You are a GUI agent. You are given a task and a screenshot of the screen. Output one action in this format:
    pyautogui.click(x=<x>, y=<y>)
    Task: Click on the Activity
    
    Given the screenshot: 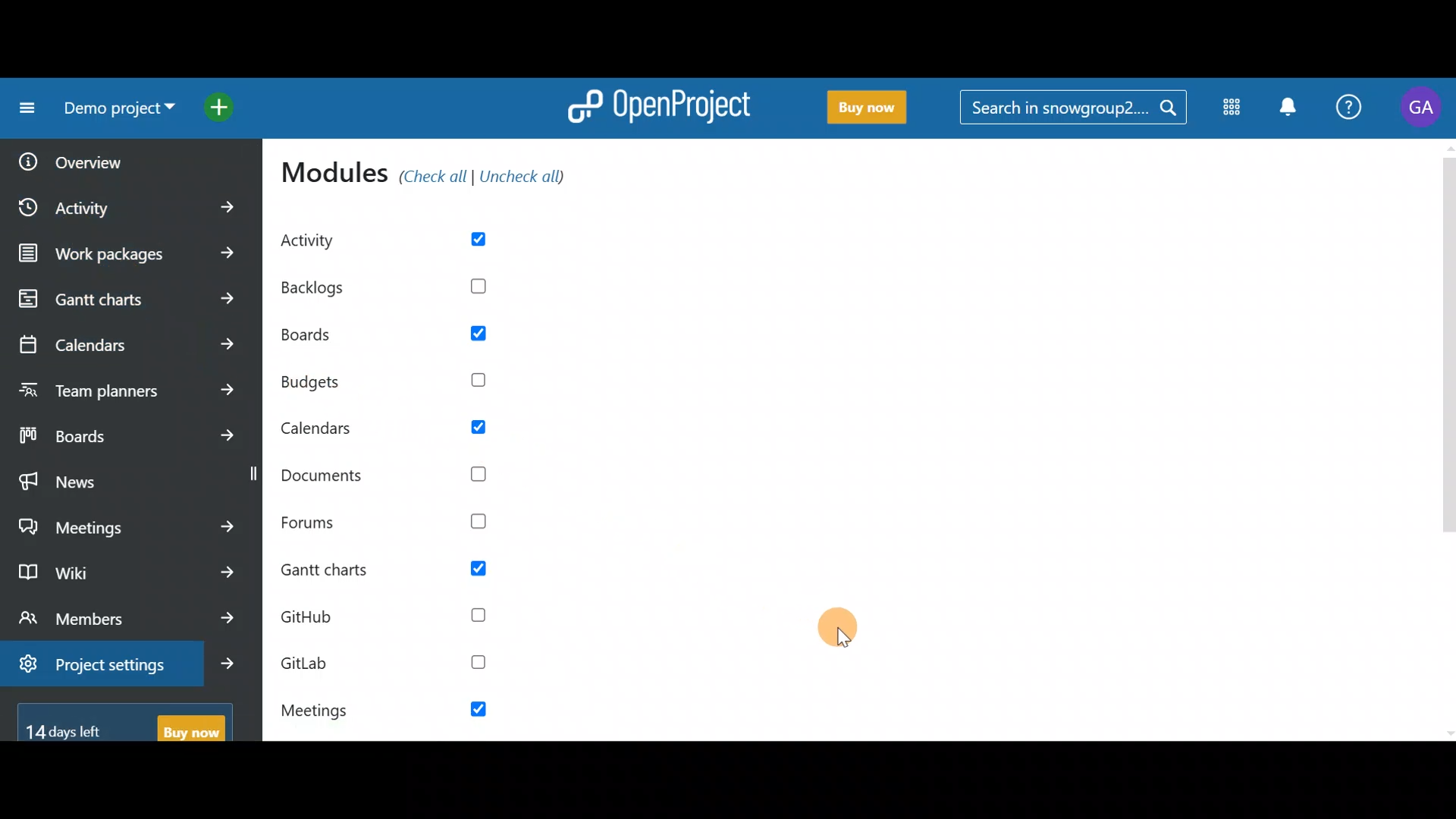 What is the action you would take?
    pyautogui.click(x=129, y=211)
    